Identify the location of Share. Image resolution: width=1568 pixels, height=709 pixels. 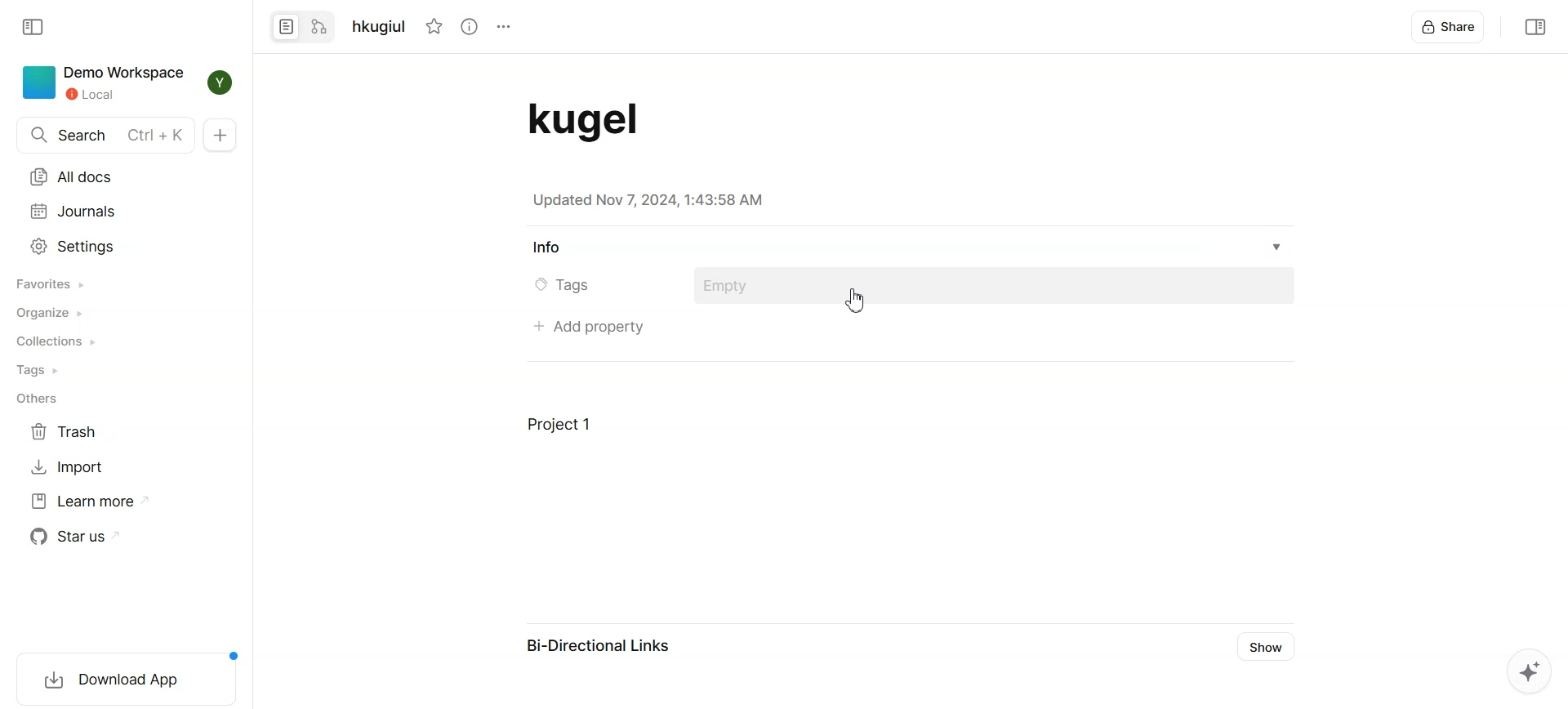
(1450, 27).